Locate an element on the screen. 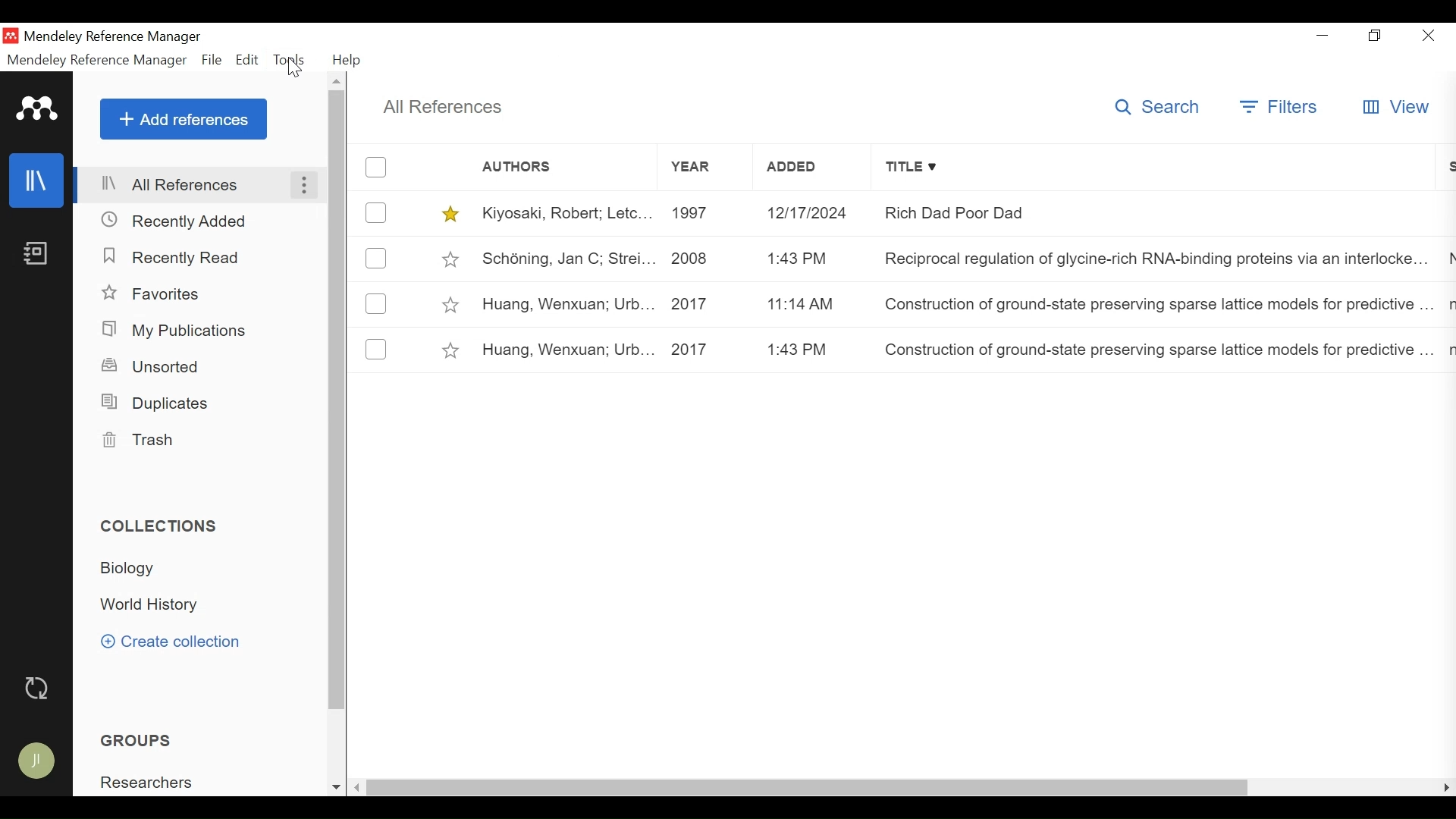 The height and width of the screenshot is (819, 1456). Recently Read is located at coordinates (175, 256).